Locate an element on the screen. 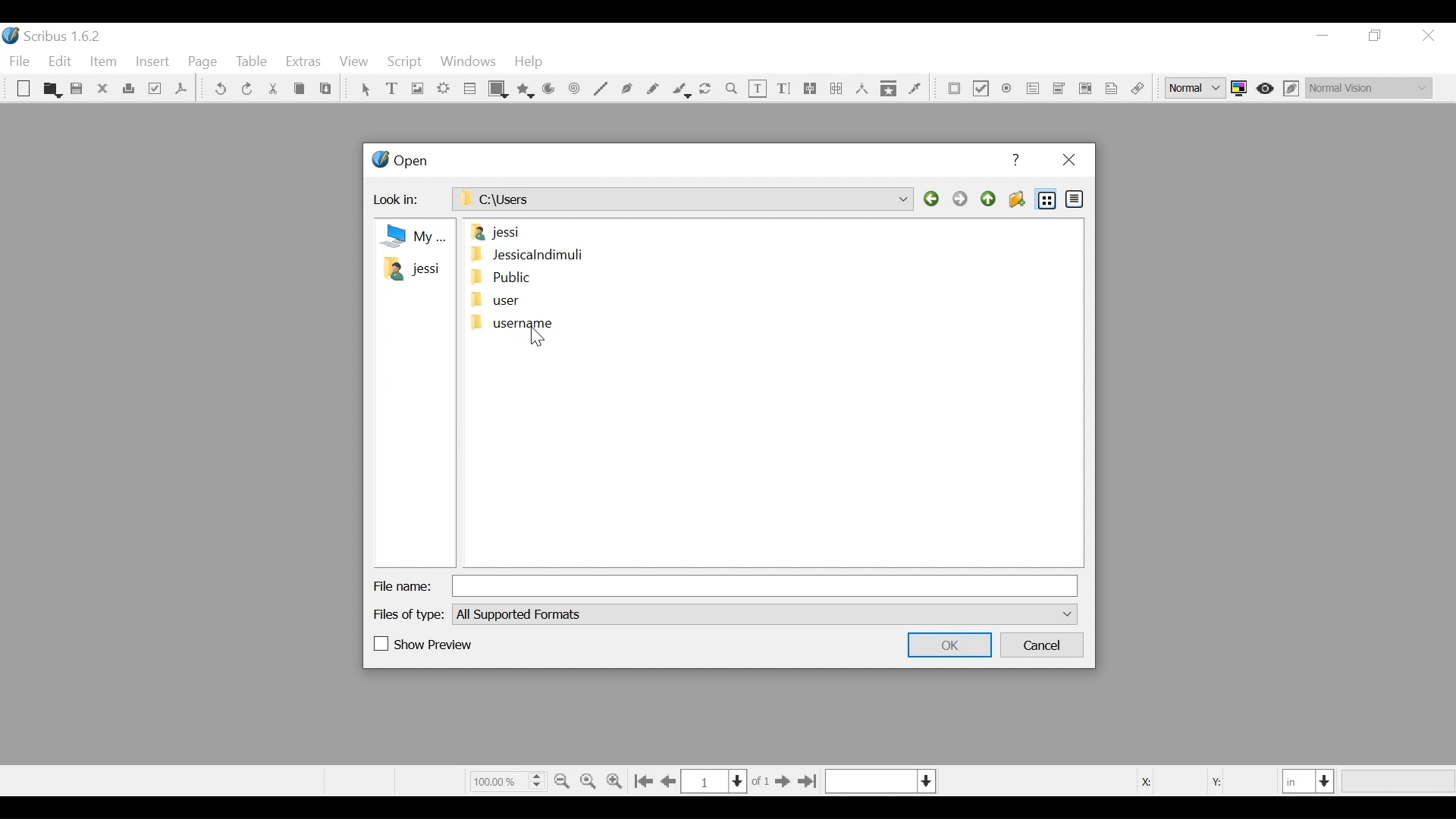  Toggle color is located at coordinates (1243, 88).